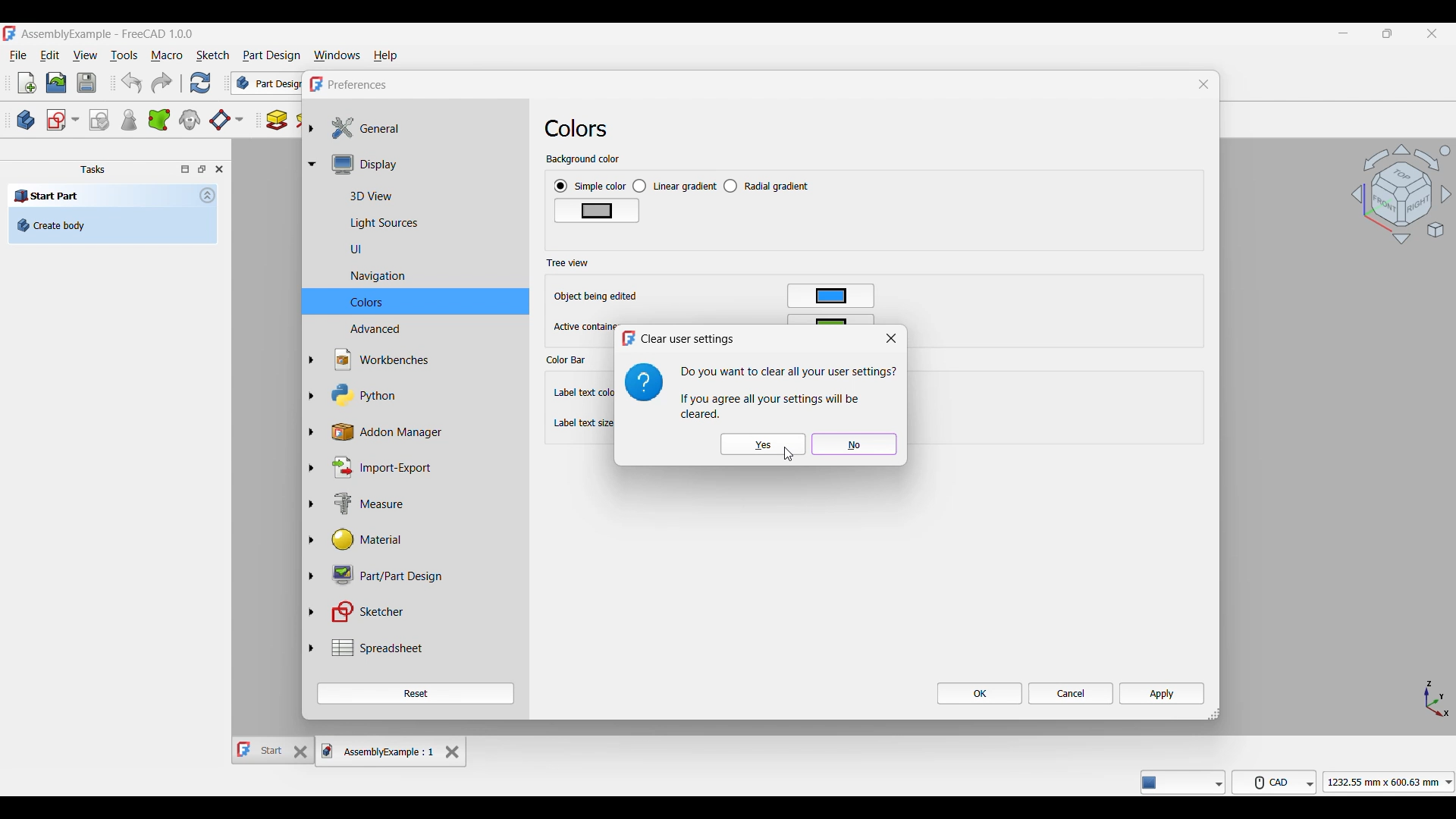  I want to click on Canvas navigation, so click(1401, 193).